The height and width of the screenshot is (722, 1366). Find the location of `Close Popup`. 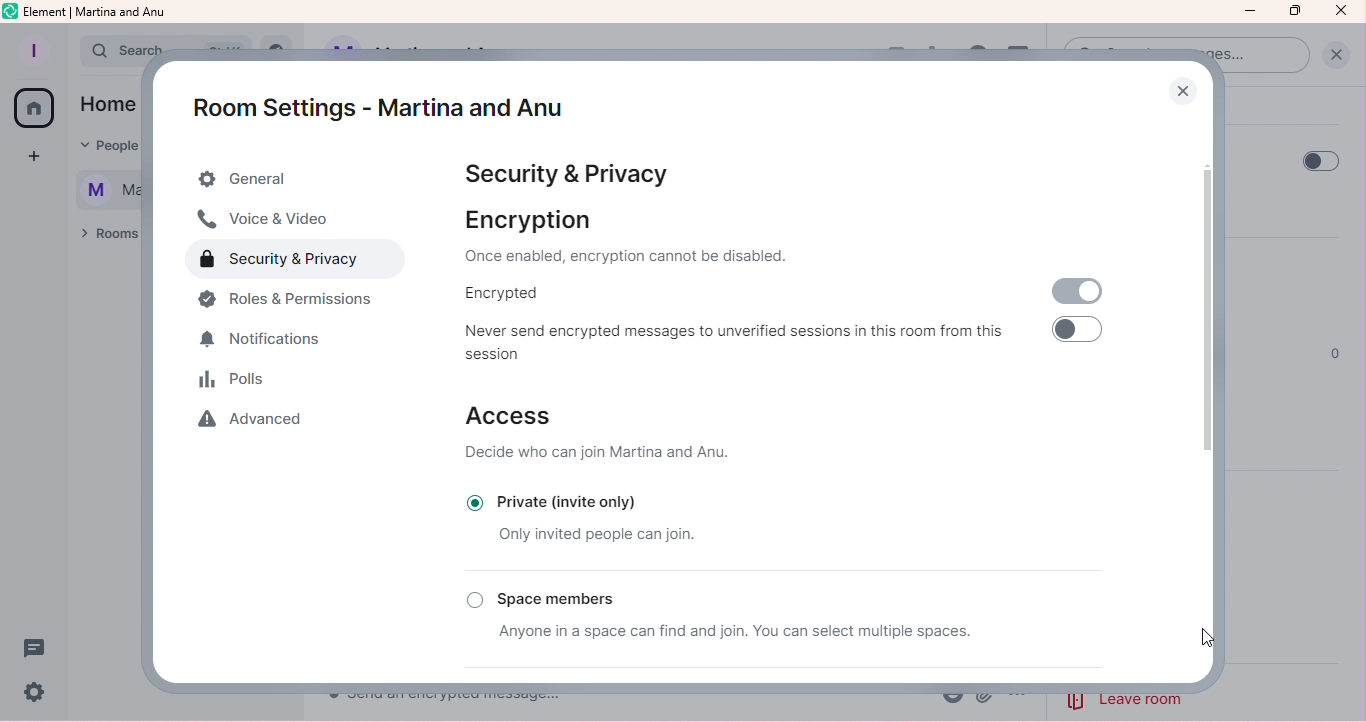

Close Popup is located at coordinates (1187, 96).